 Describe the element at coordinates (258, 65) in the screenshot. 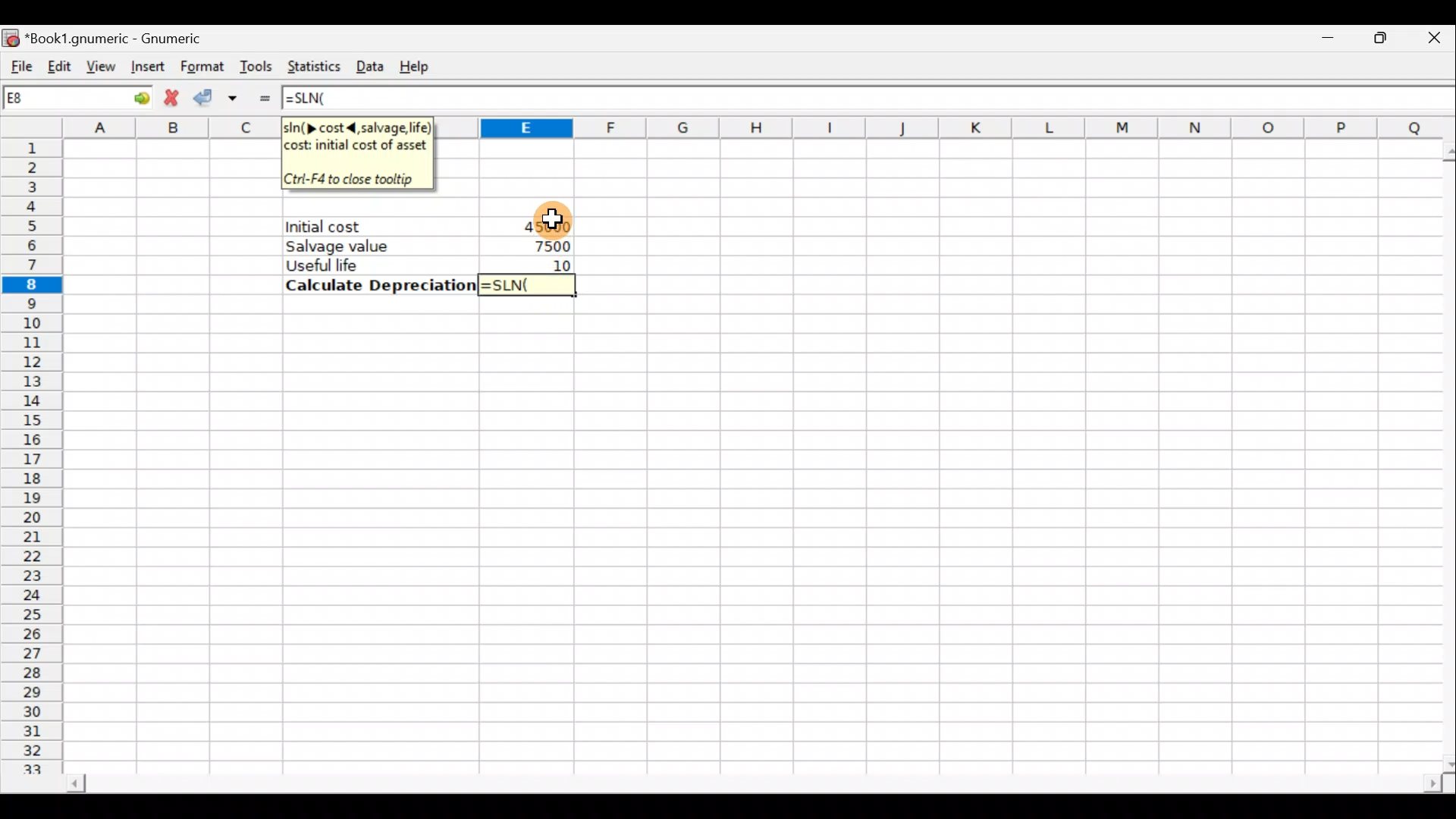

I see `Tools` at that location.